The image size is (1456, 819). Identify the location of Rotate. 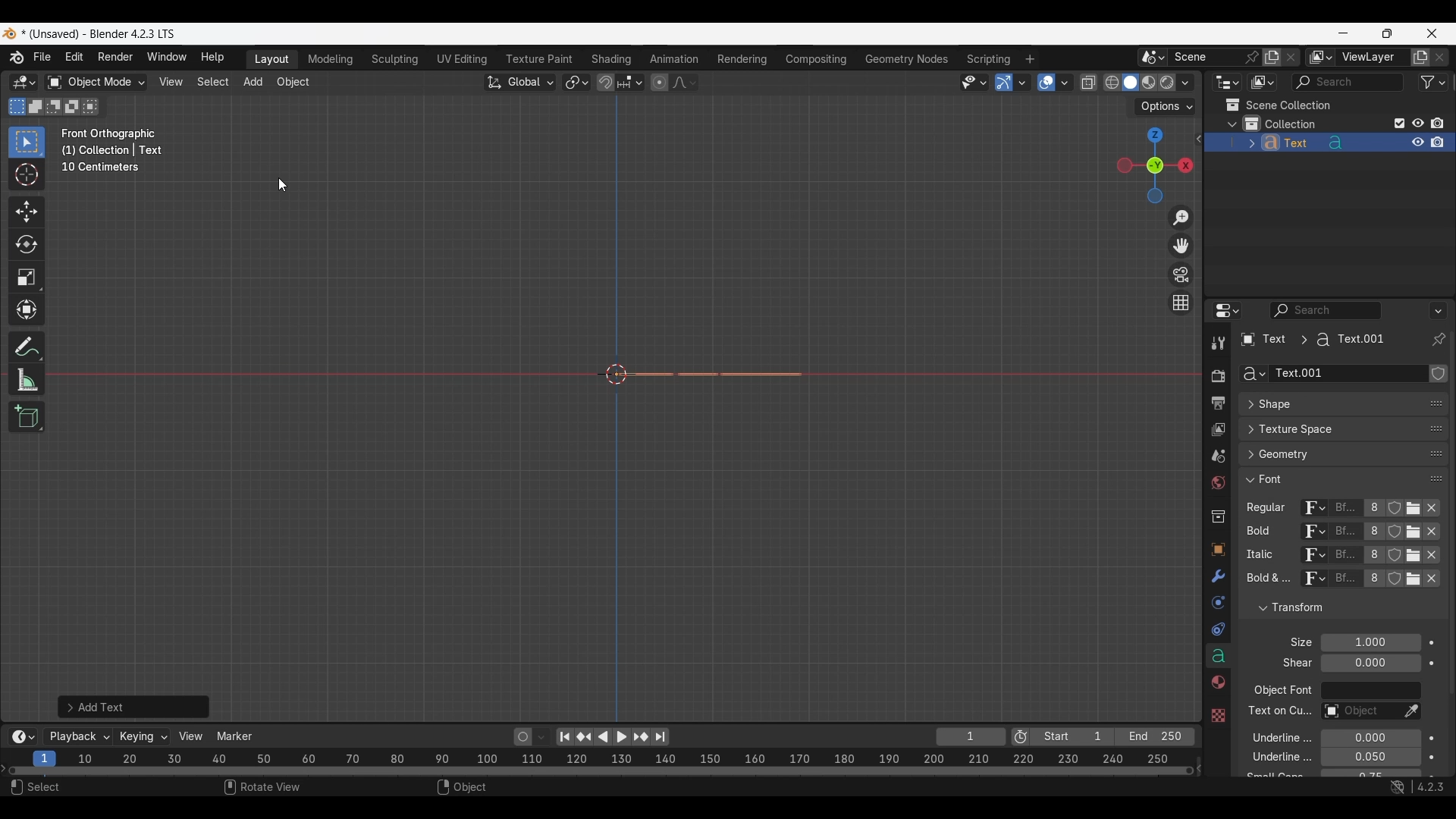
(27, 244).